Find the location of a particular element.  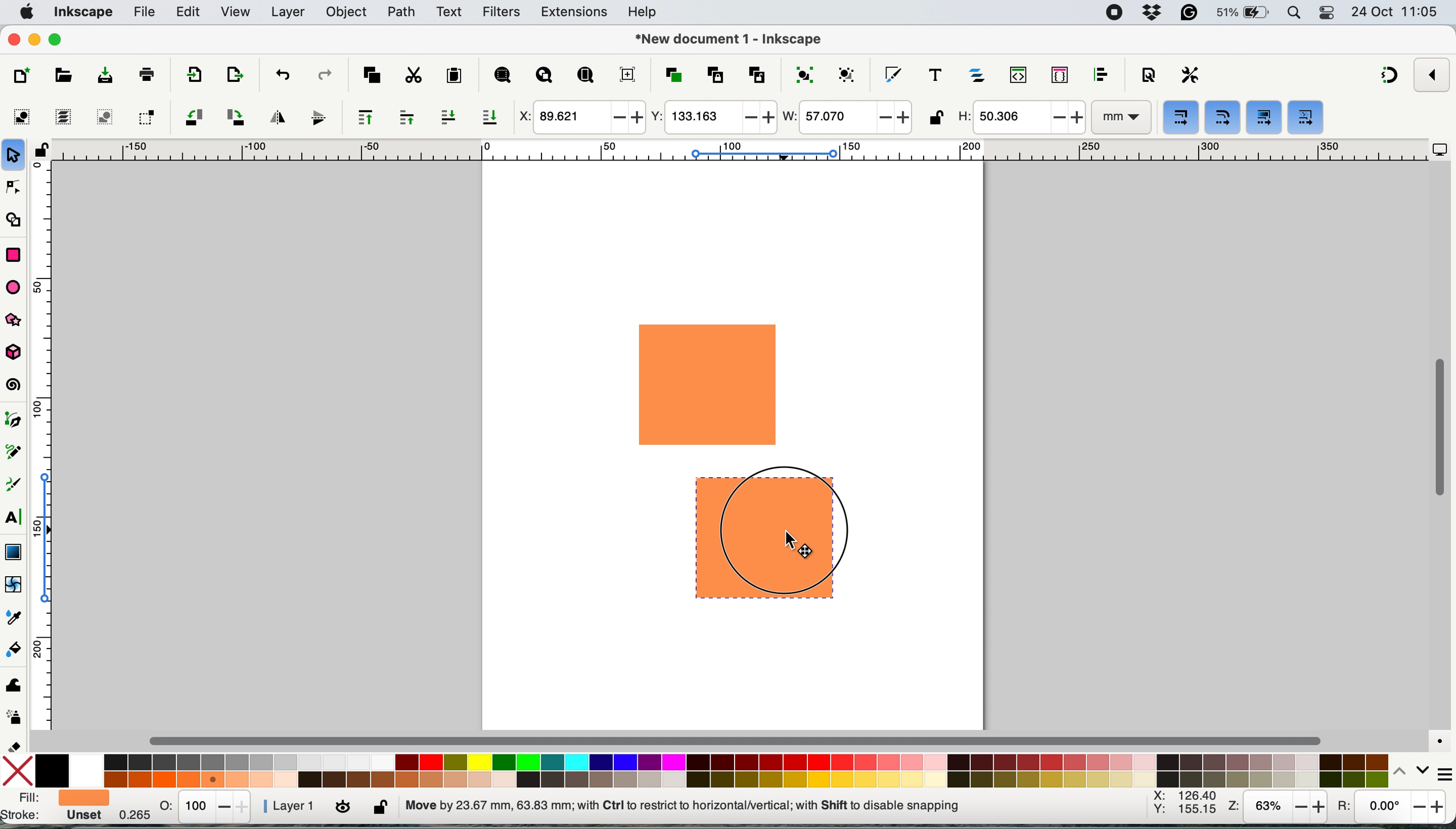

select all in all layers is located at coordinates (64, 117).